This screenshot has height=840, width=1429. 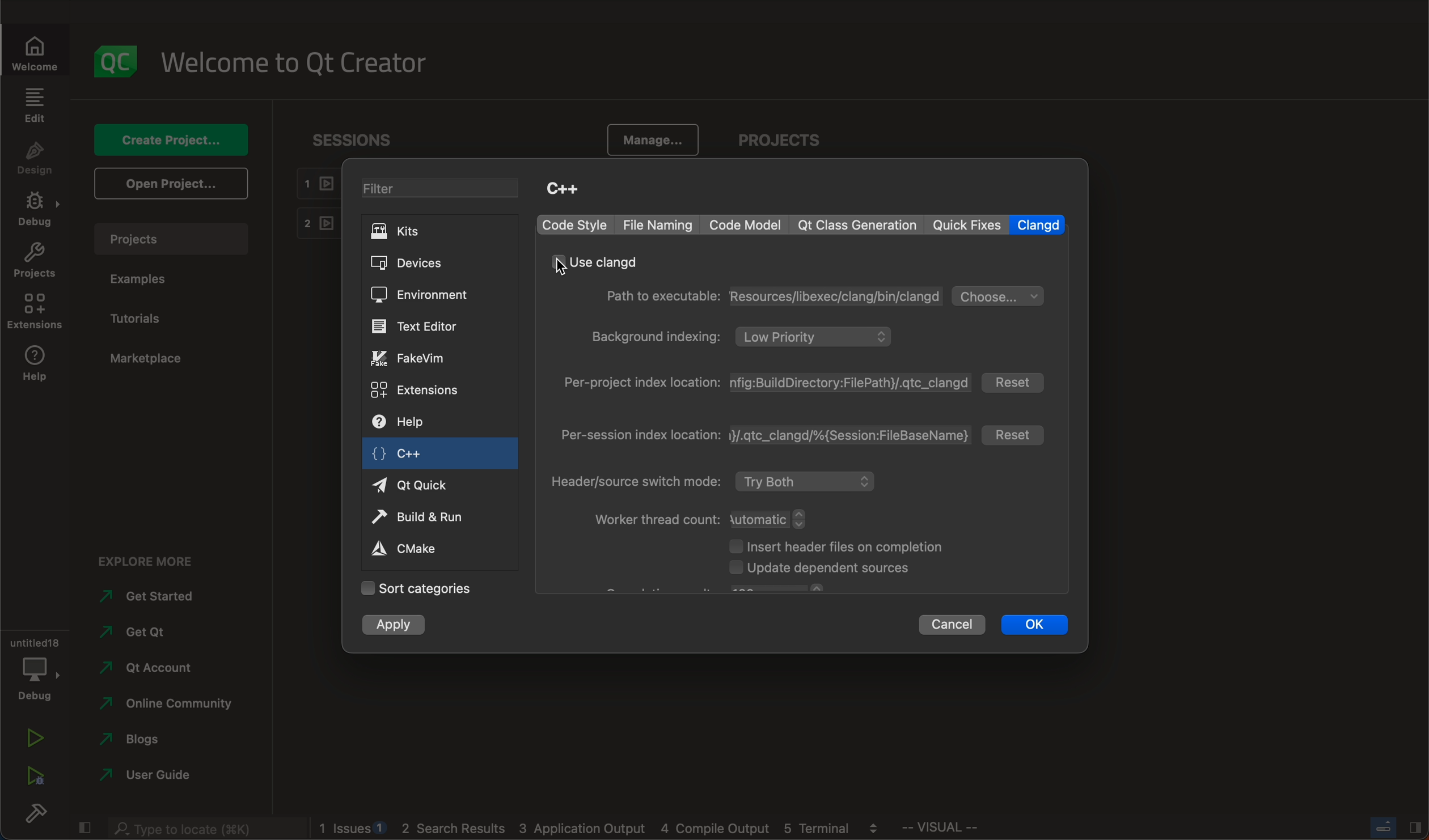 I want to click on edit, so click(x=34, y=105).